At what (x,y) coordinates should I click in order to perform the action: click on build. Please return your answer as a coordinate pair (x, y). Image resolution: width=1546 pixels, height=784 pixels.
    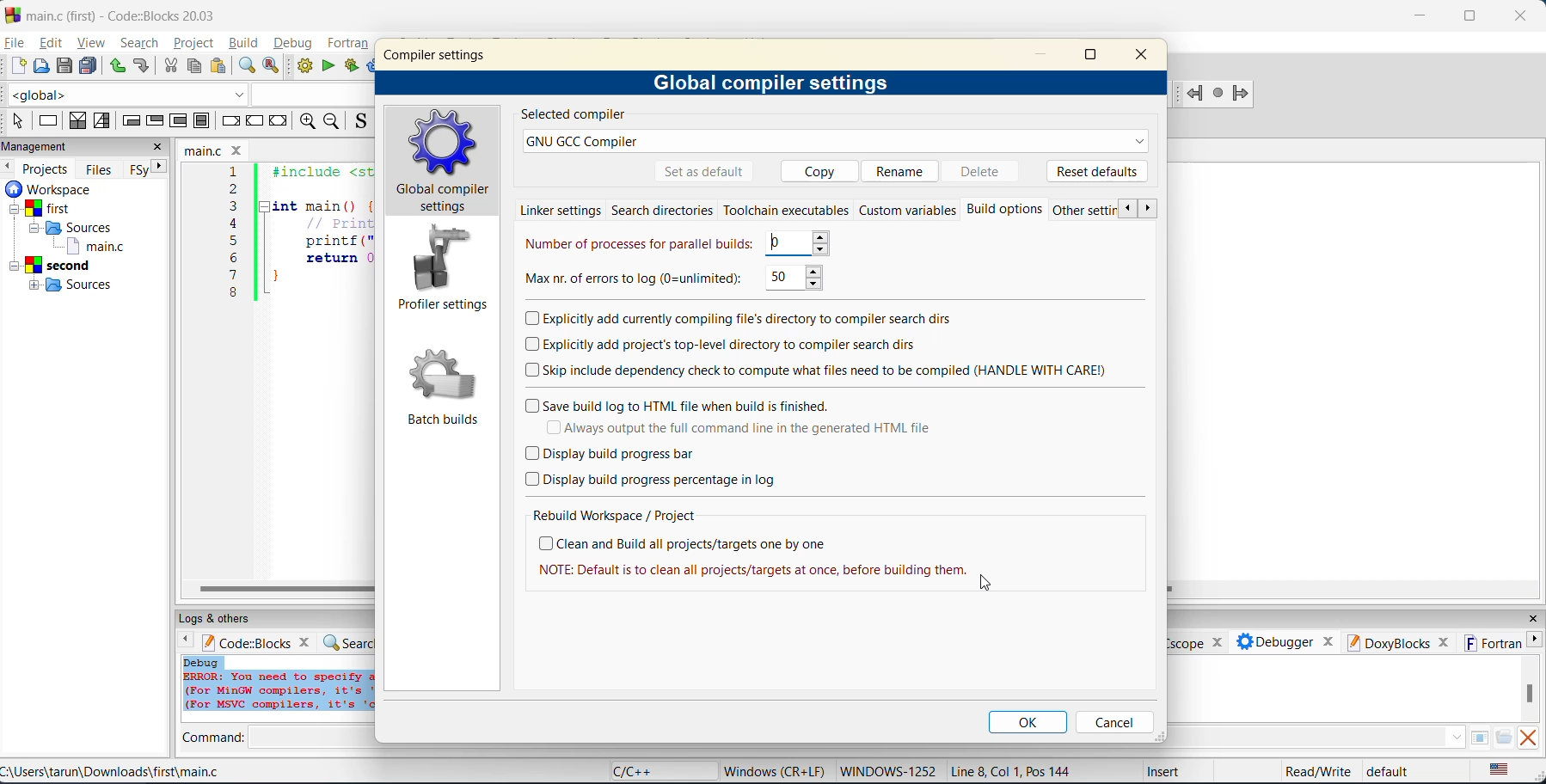
    Looking at the image, I should click on (246, 45).